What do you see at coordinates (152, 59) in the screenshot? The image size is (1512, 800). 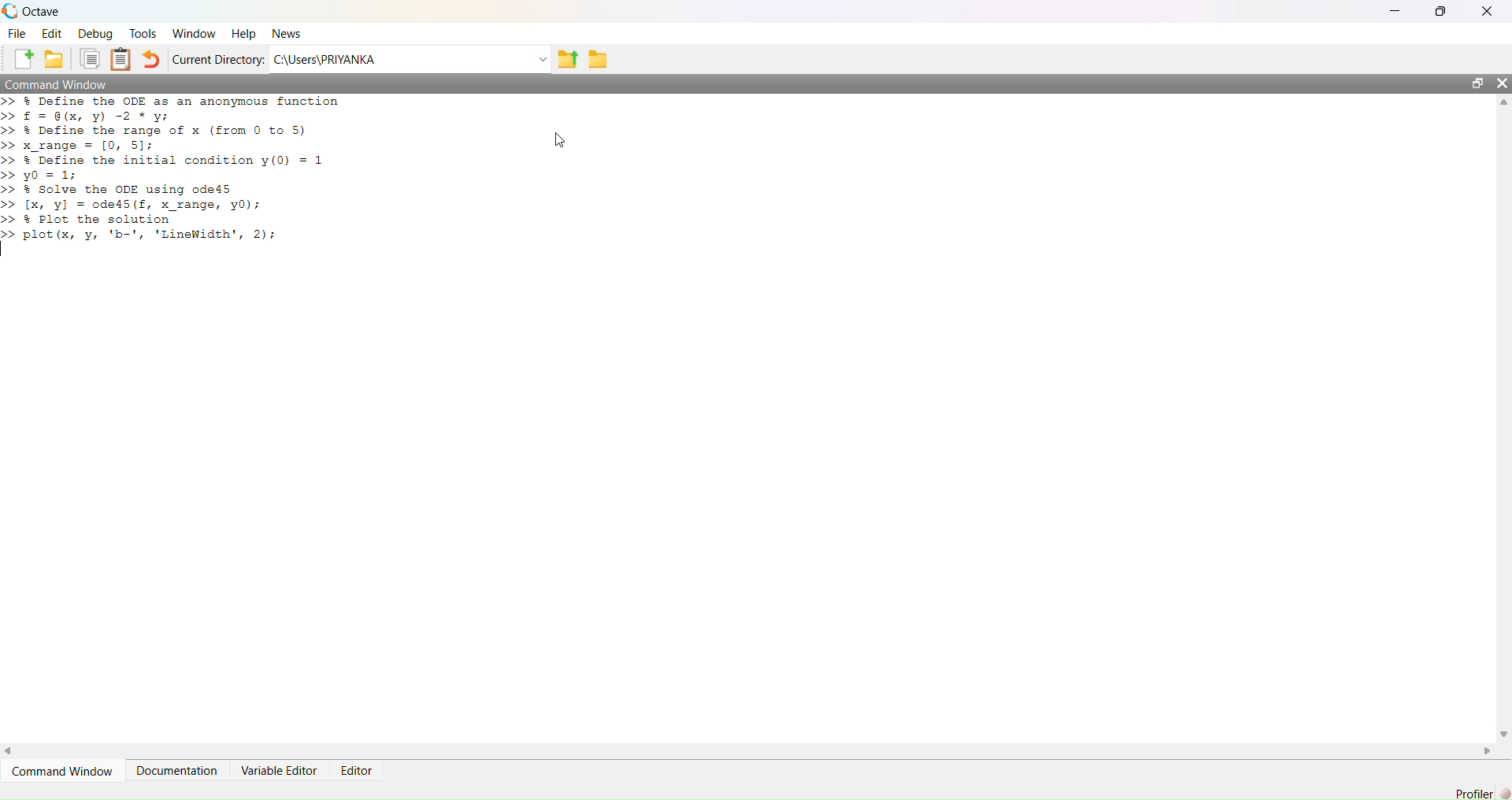 I see `Undo` at bounding box center [152, 59].